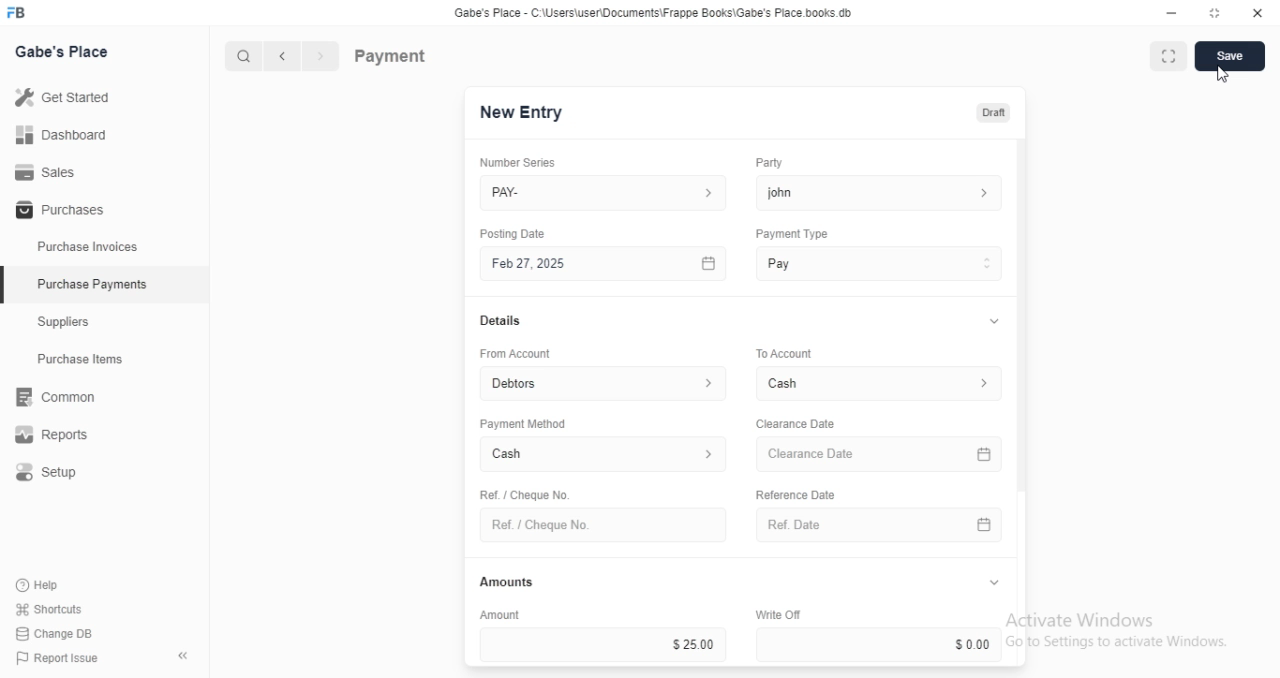 This screenshot has width=1280, height=678. Describe the element at coordinates (993, 583) in the screenshot. I see `expand/collapse` at that location.